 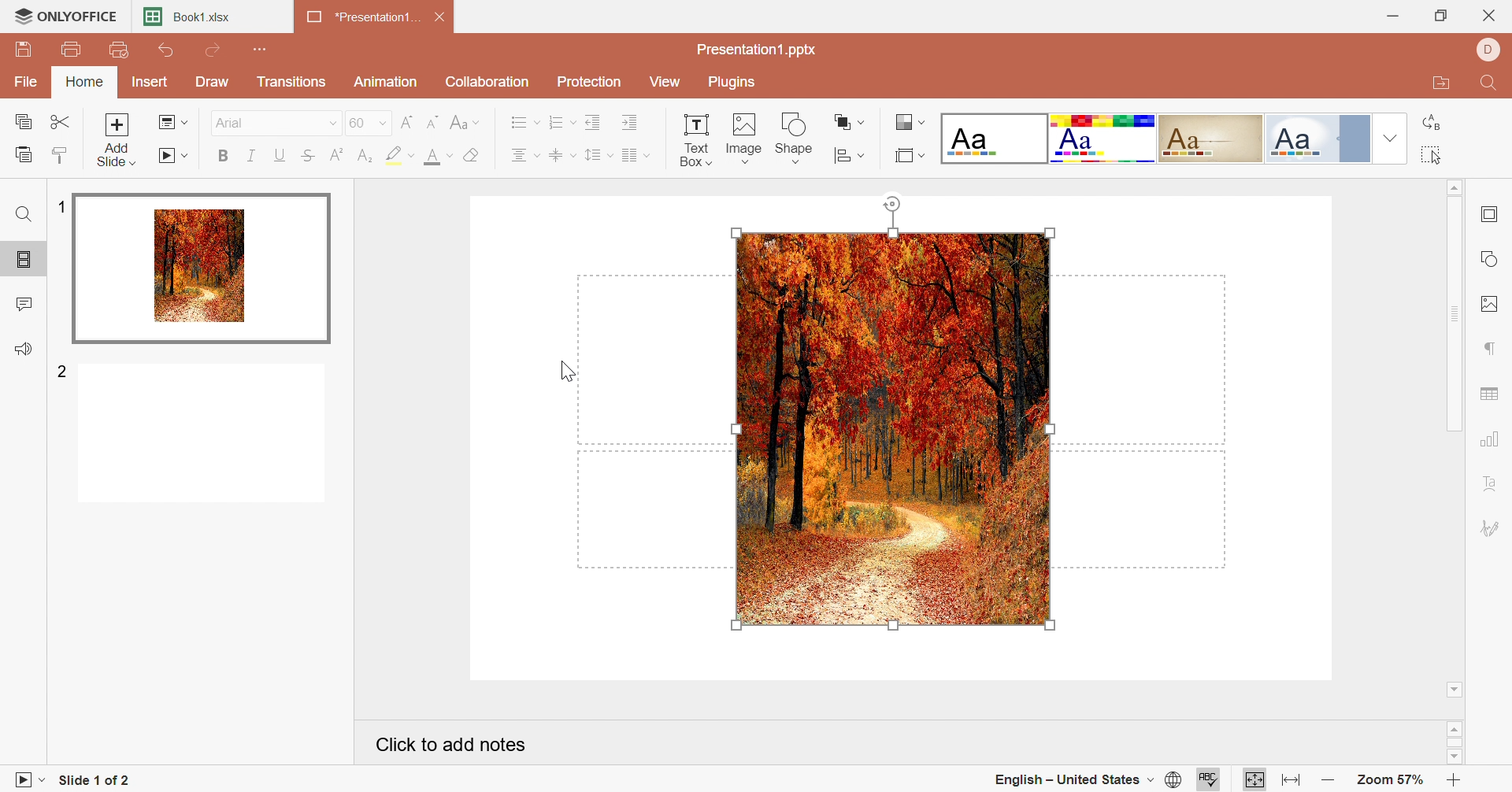 What do you see at coordinates (562, 121) in the screenshot?
I see `Numbering` at bounding box center [562, 121].